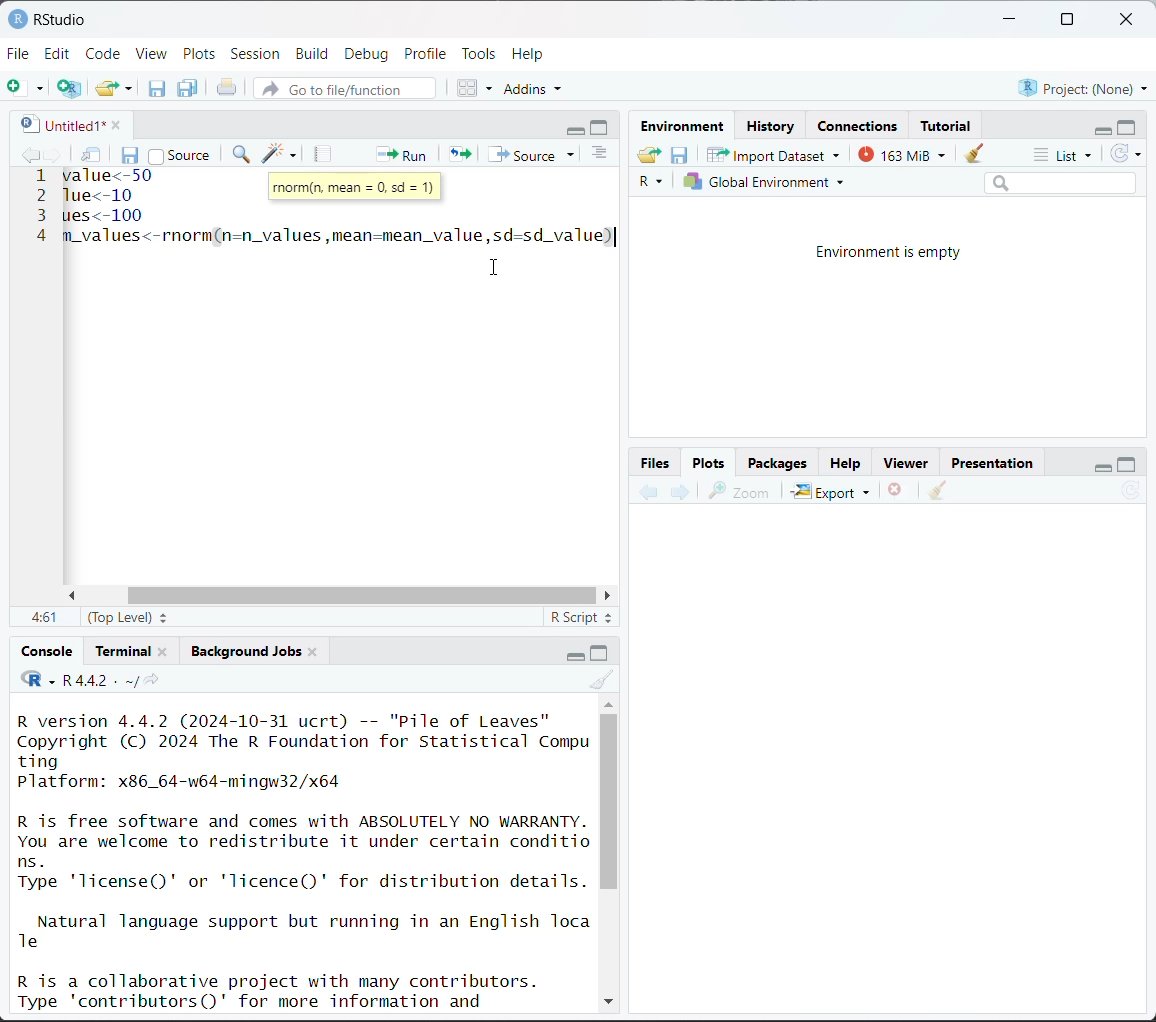  Describe the element at coordinates (107, 85) in the screenshot. I see `open an existing file` at that location.